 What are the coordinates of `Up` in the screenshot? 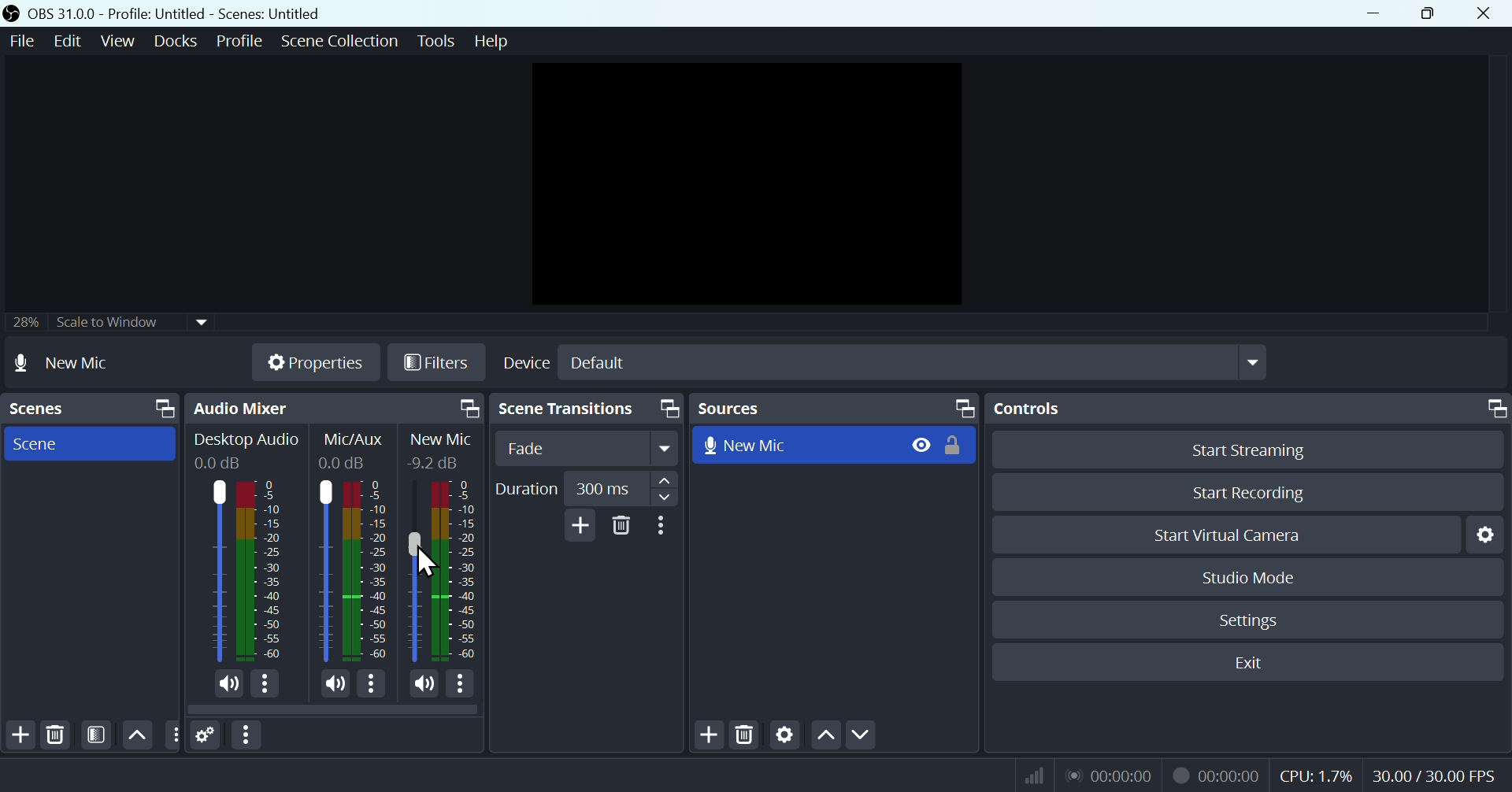 It's located at (825, 738).